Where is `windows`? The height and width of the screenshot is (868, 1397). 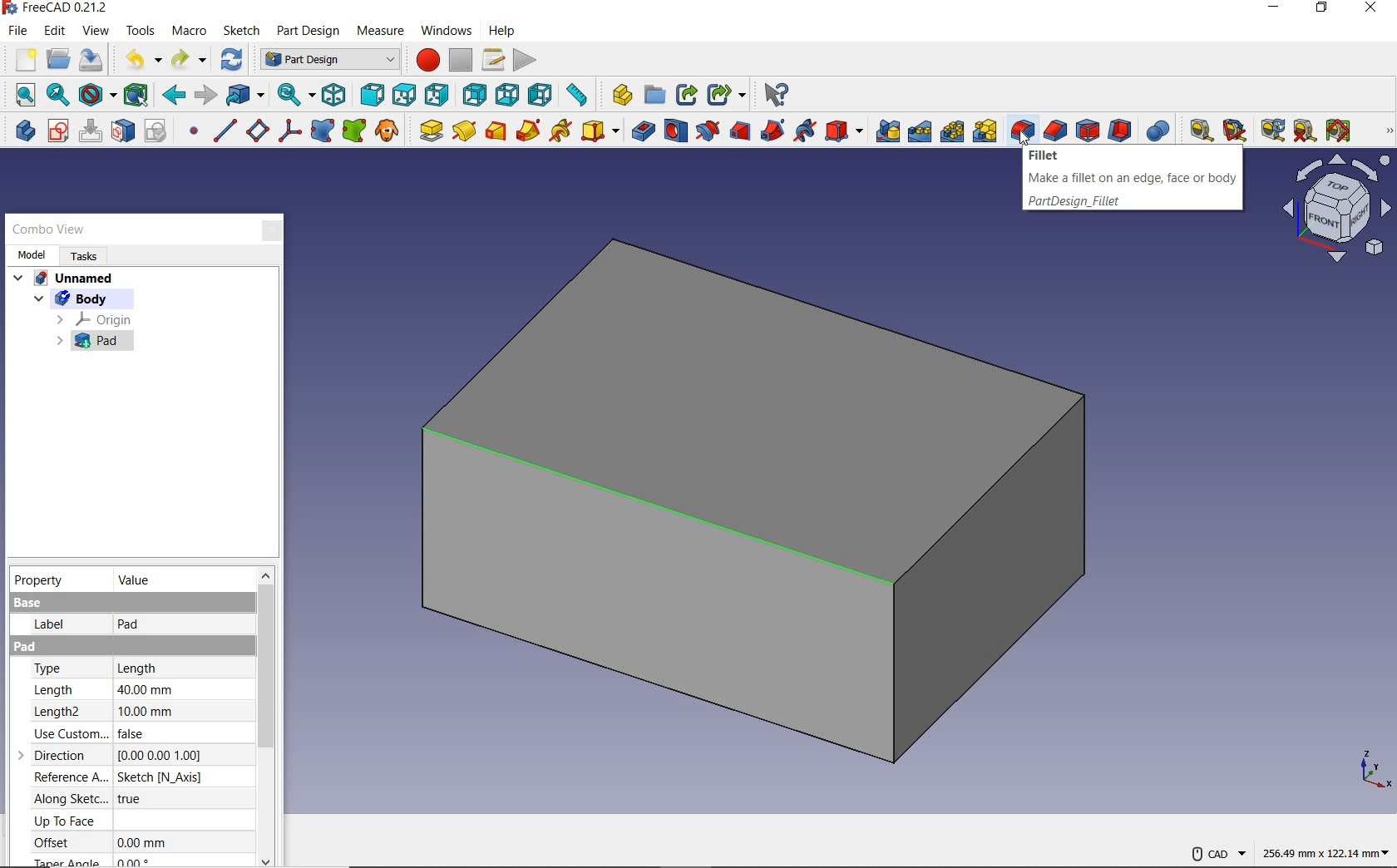 windows is located at coordinates (444, 32).